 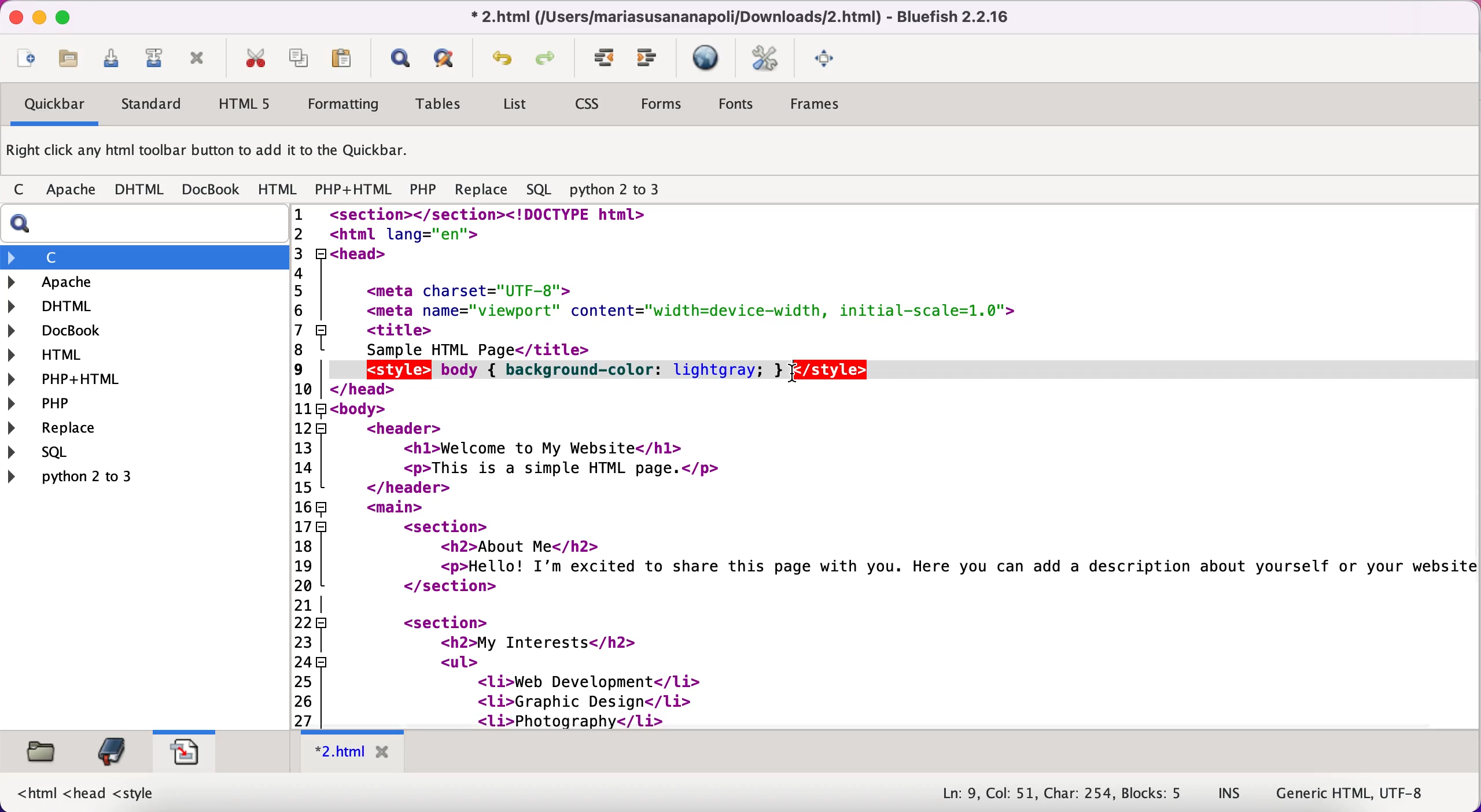 I want to click on python 2 to 3, so click(x=625, y=190).